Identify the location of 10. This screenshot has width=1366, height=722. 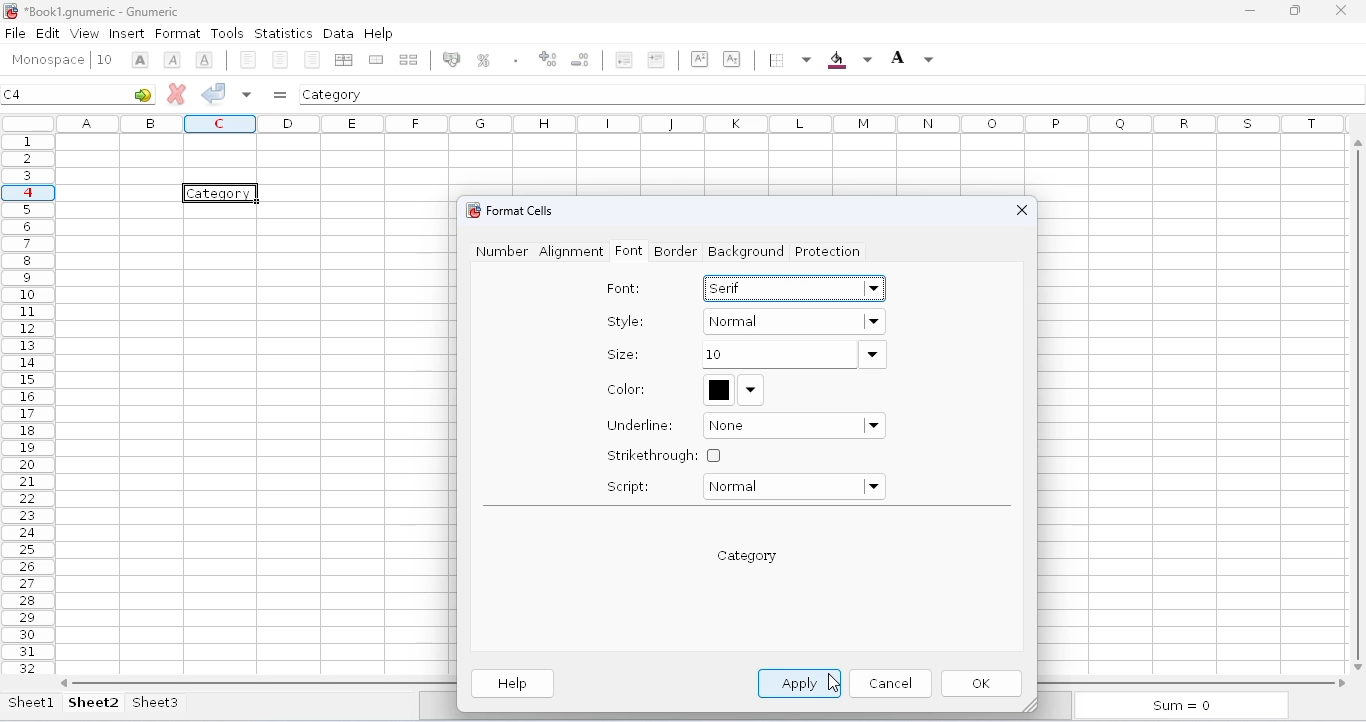
(793, 355).